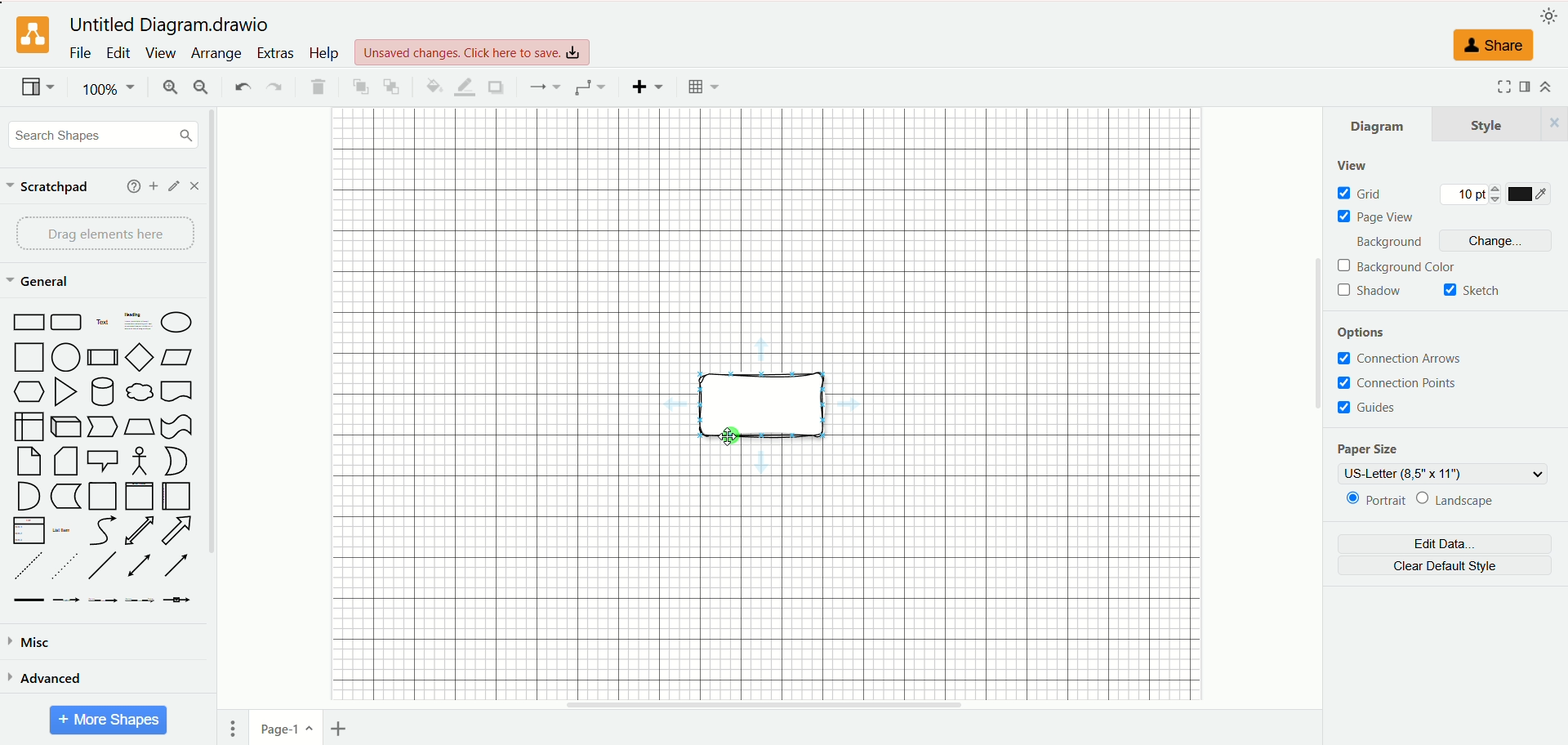 The width and height of the screenshot is (1568, 745). Describe the element at coordinates (703, 87) in the screenshot. I see `table` at that location.